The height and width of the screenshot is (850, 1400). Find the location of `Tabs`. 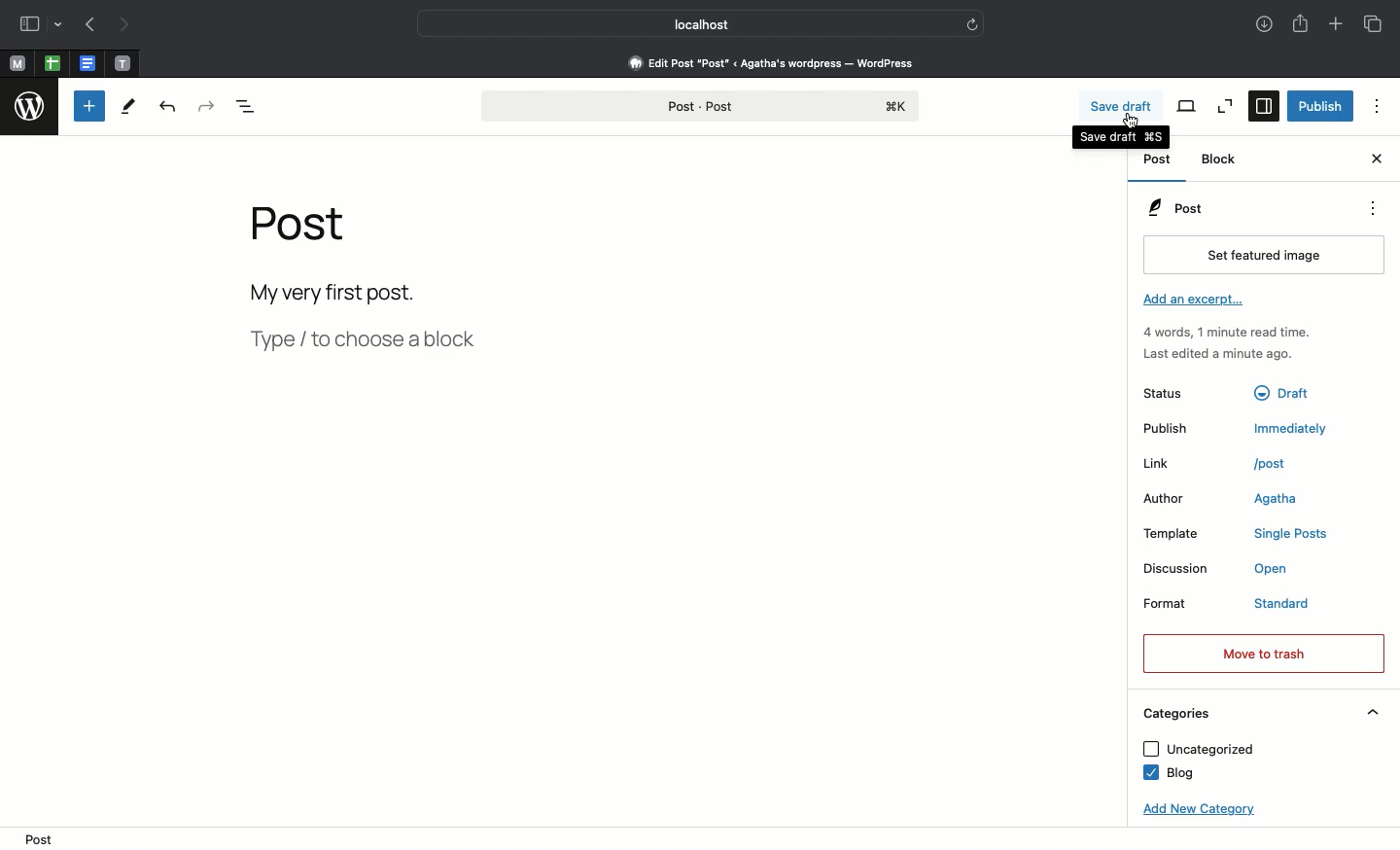

Tabs is located at coordinates (1376, 24).